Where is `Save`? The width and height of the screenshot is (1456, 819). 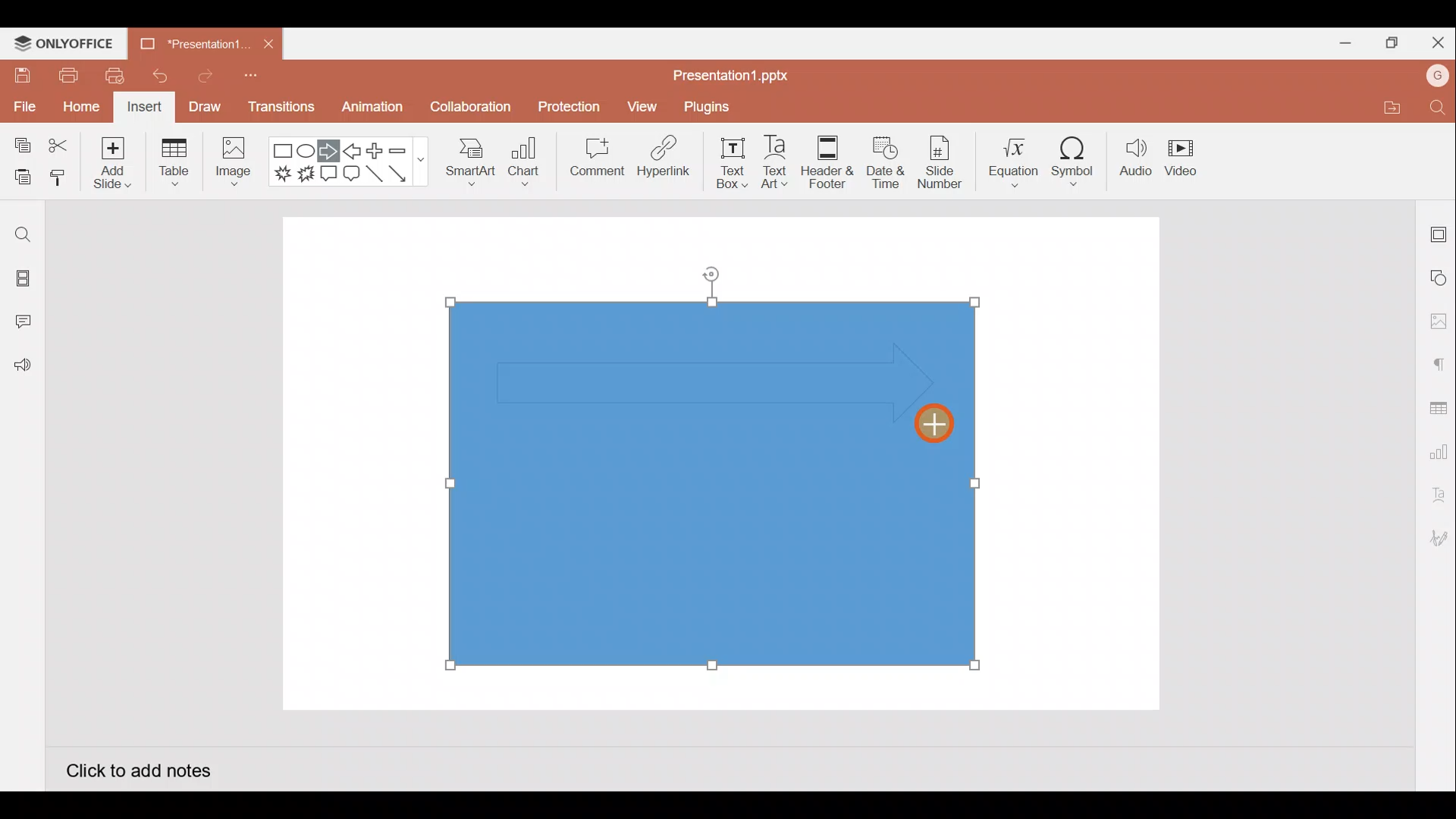
Save is located at coordinates (20, 74).